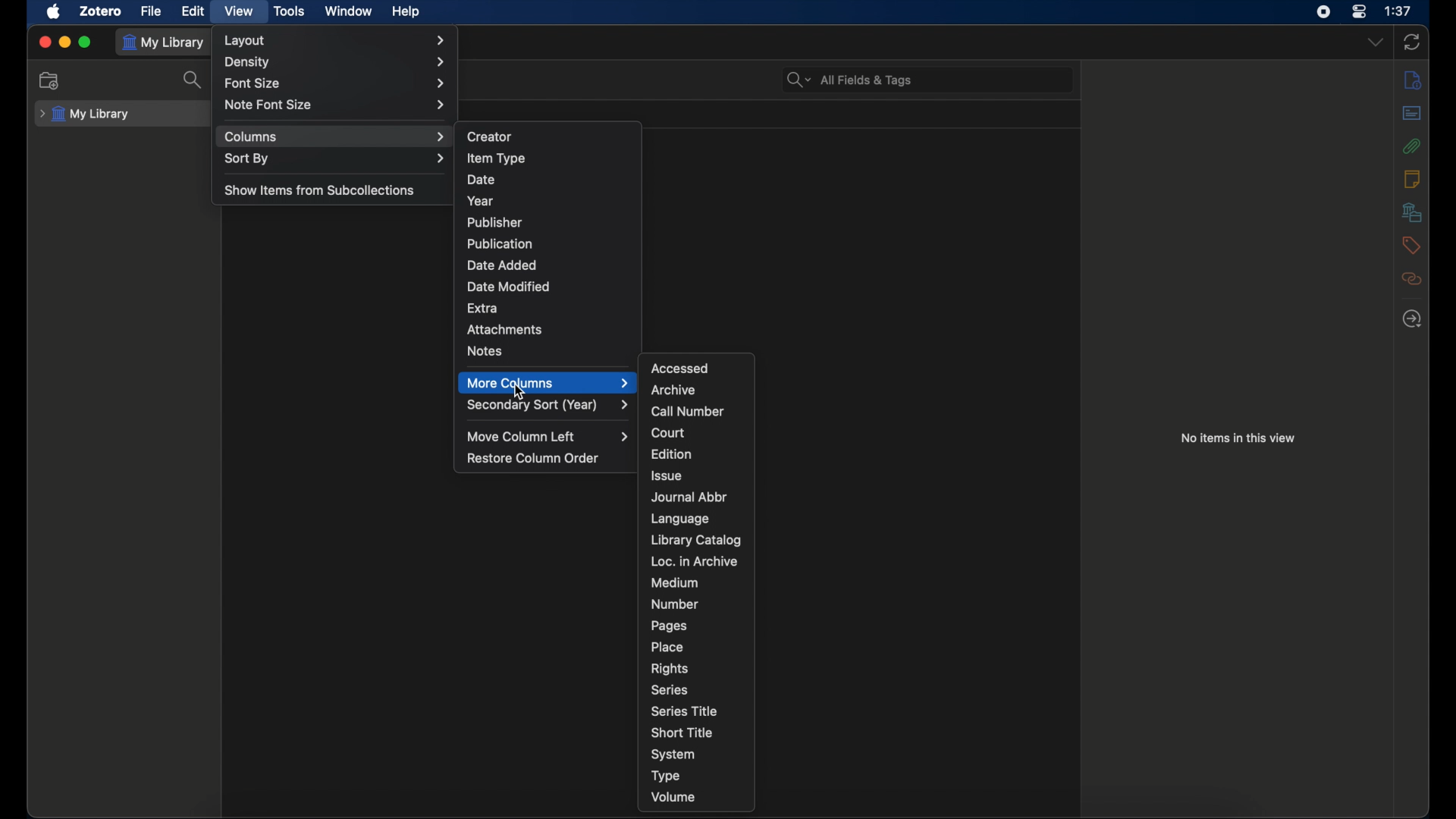 The height and width of the screenshot is (819, 1456). What do you see at coordinates (167, 43) in the screenshot?
I see `my library` at bounding box center [167, 43].